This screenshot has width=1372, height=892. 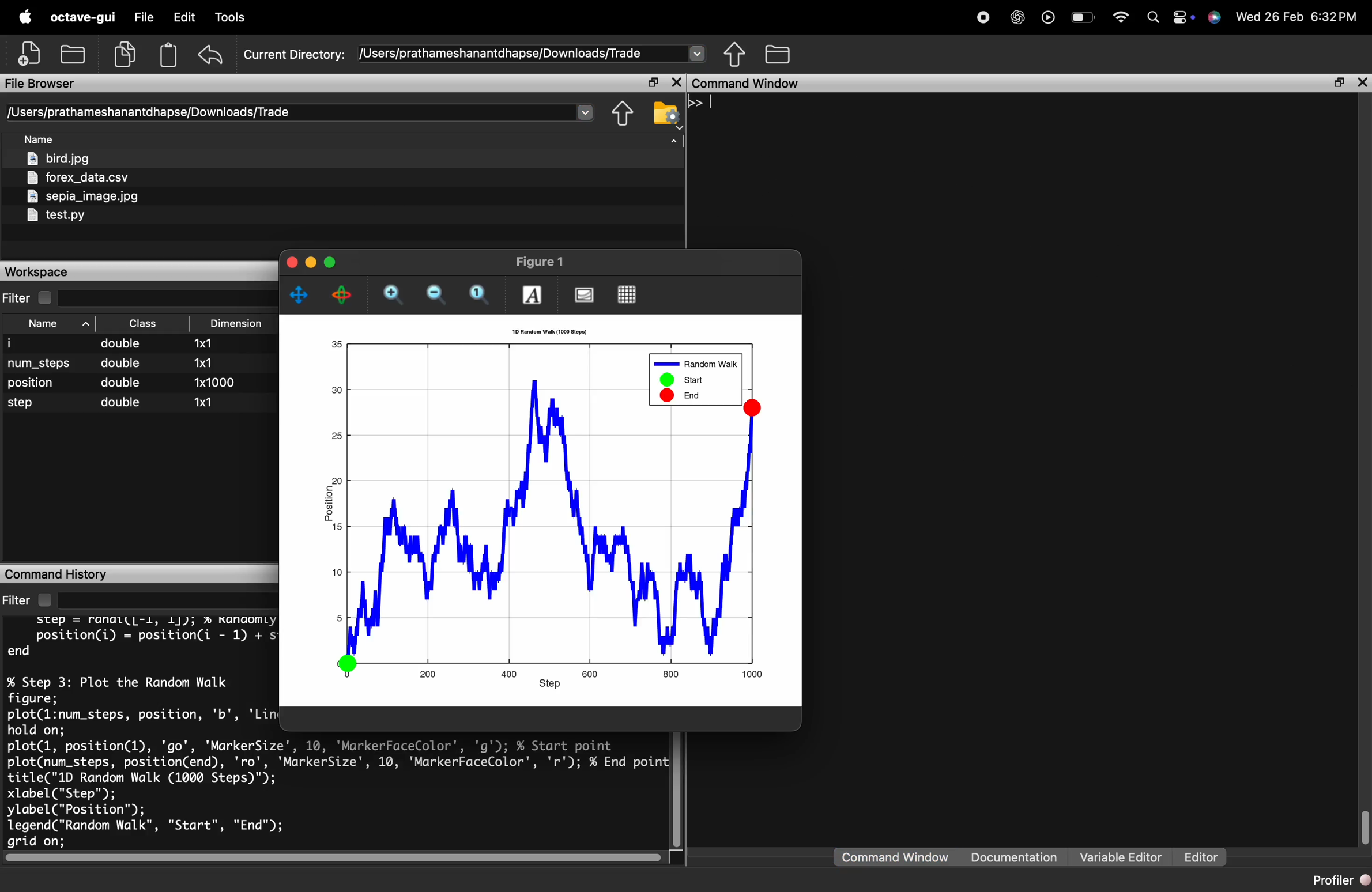 What do you see at coordinates (444, 18) in the screenshot?
I see `news` at bounding box center [444, 18].